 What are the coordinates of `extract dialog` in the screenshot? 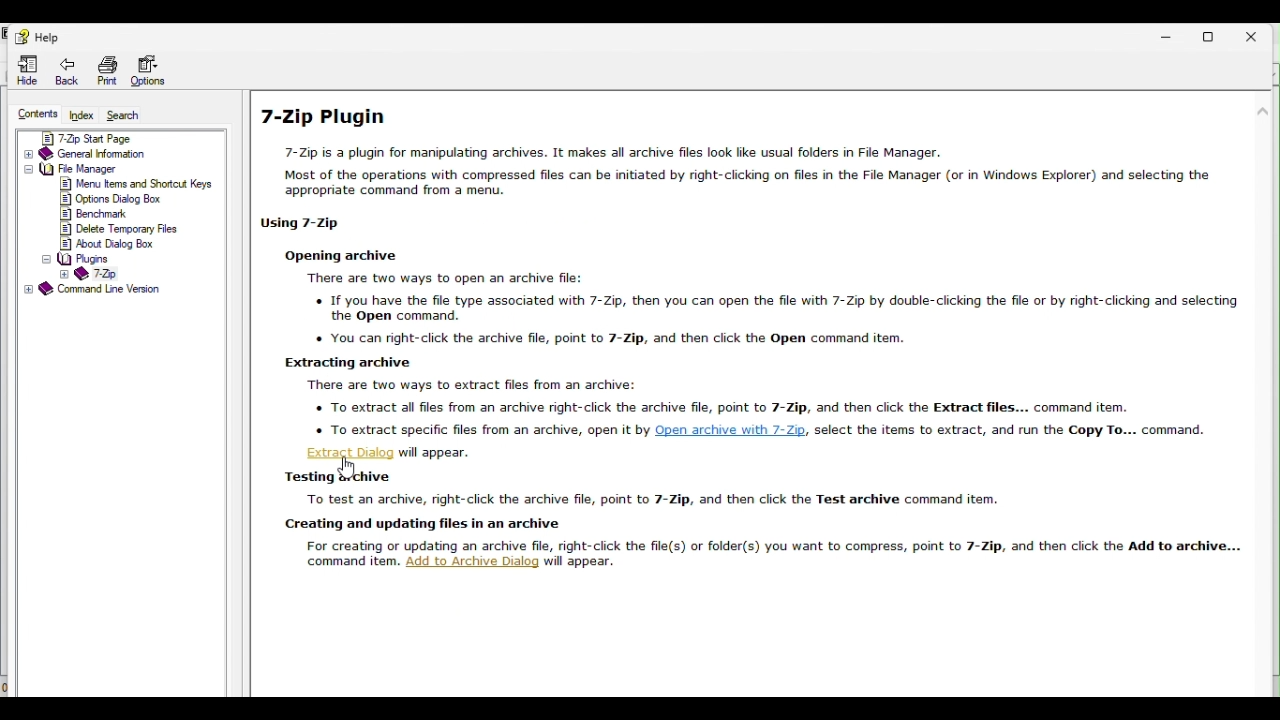 It's located at (346, 452).